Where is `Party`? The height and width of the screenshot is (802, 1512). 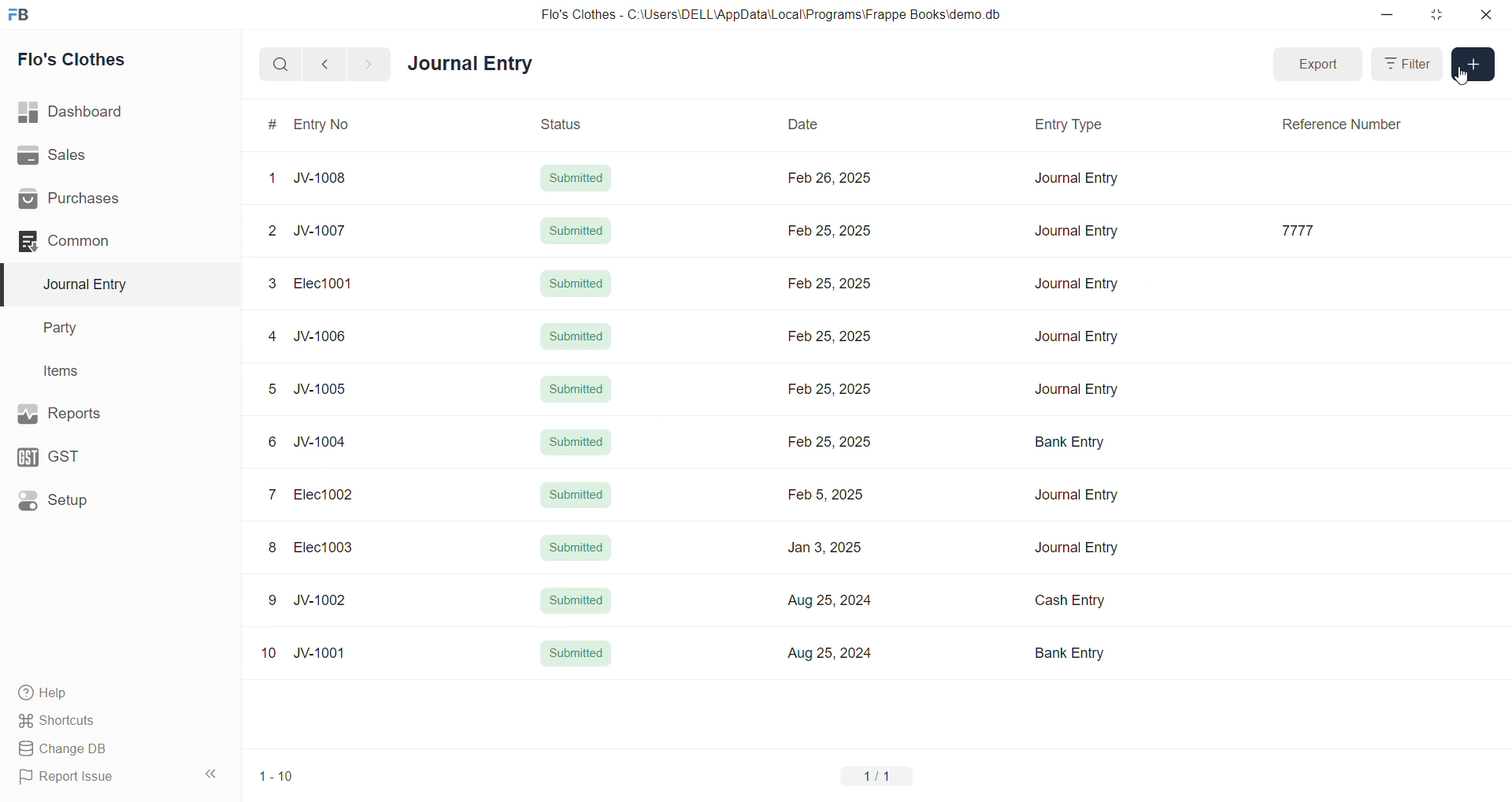 Party is located at coordinates (70, 326).